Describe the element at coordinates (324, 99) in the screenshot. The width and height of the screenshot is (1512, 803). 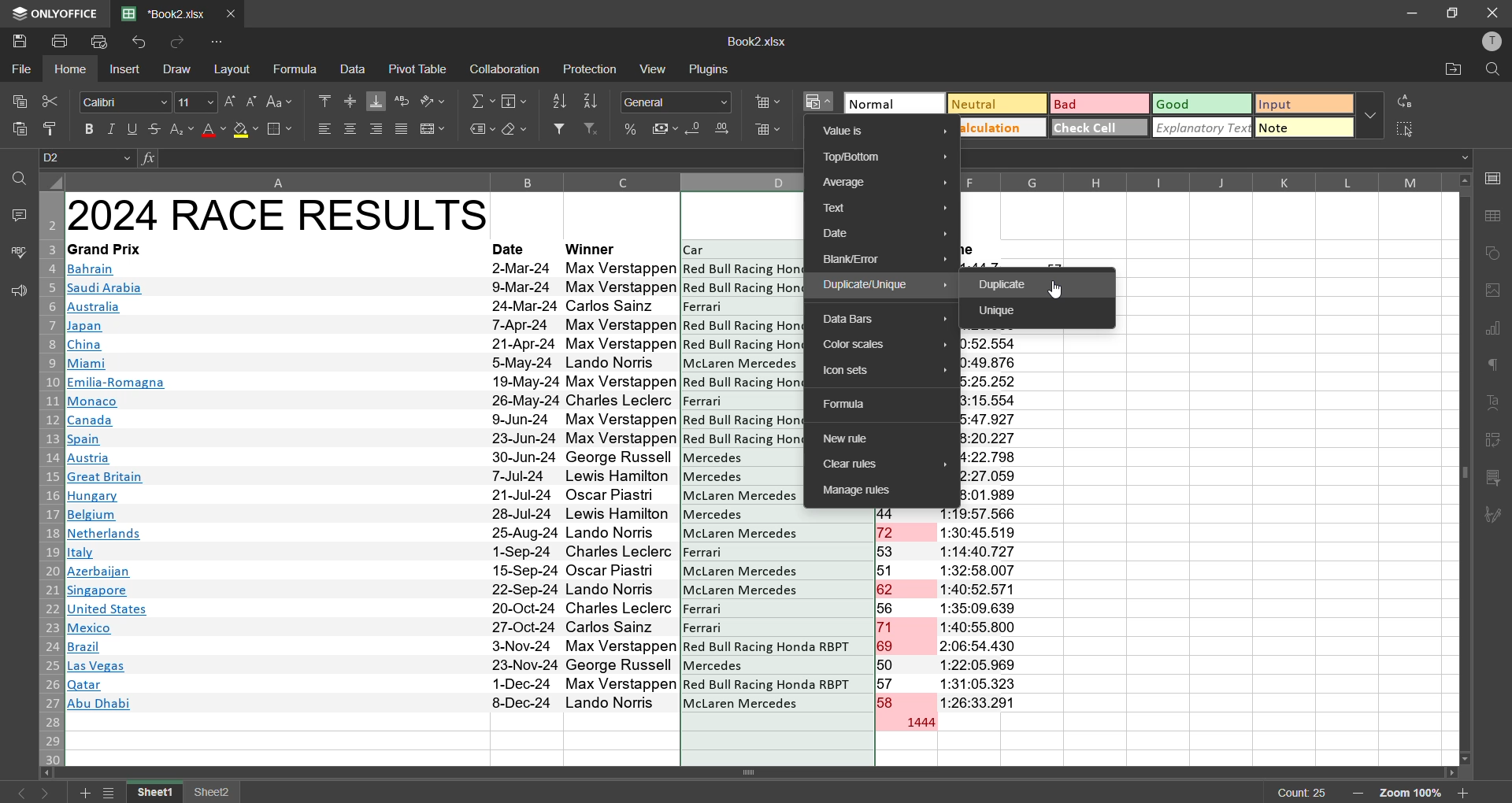
I see `align top` at that location.